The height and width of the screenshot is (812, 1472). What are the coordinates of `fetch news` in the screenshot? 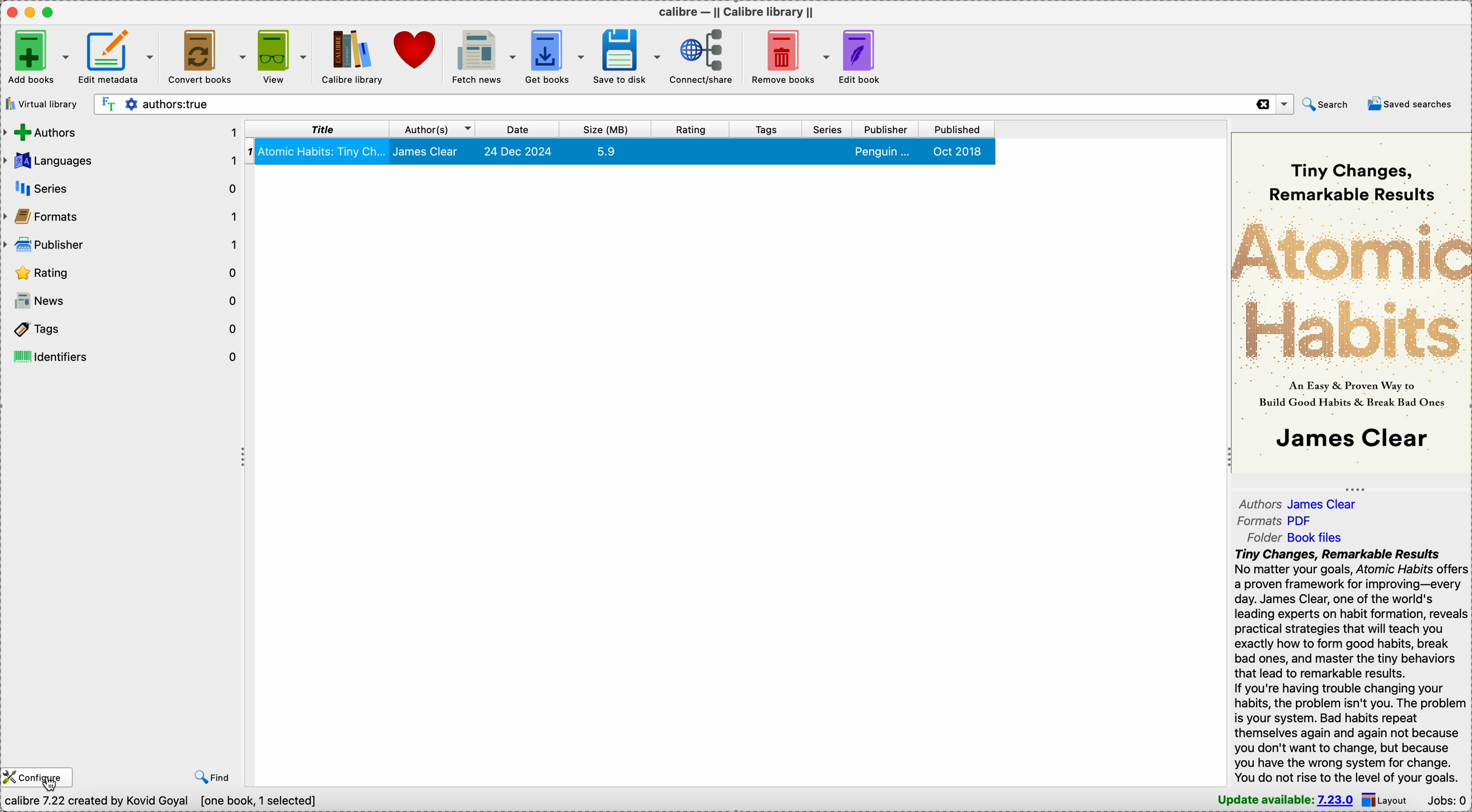 It's located at (482, 58).